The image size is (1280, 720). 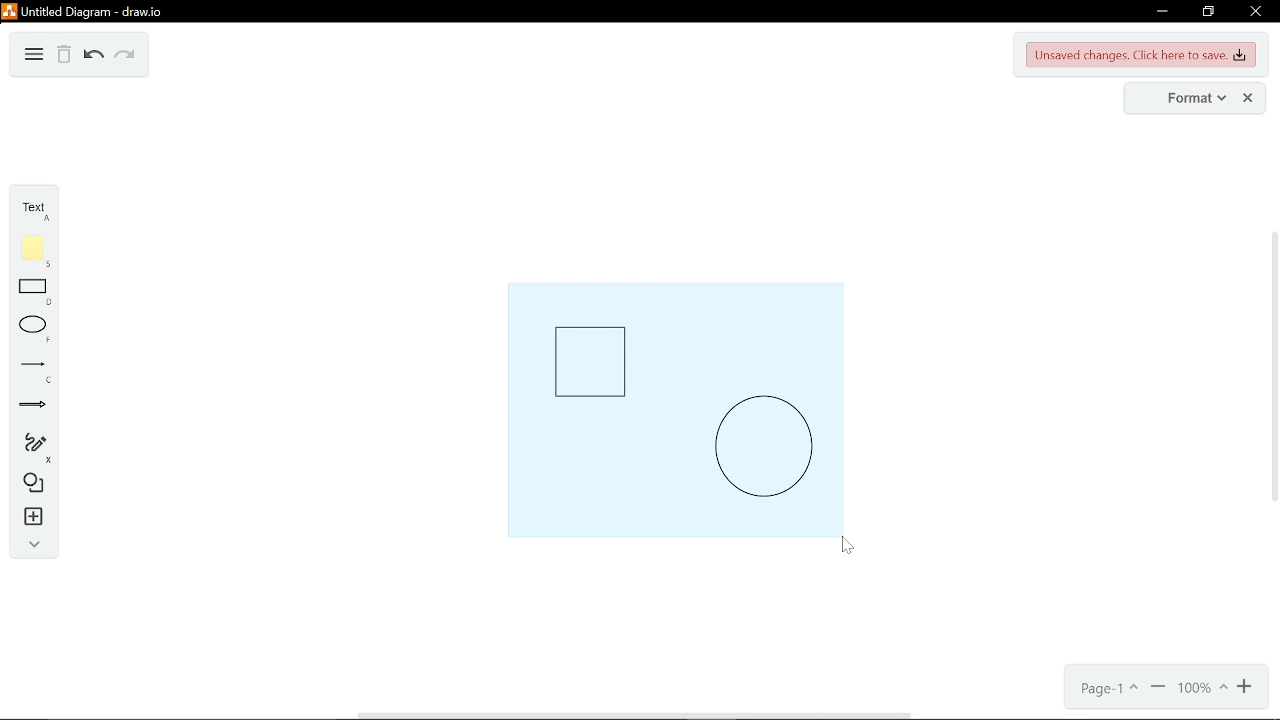 I want to click on insert, so click(x=30, y=519).